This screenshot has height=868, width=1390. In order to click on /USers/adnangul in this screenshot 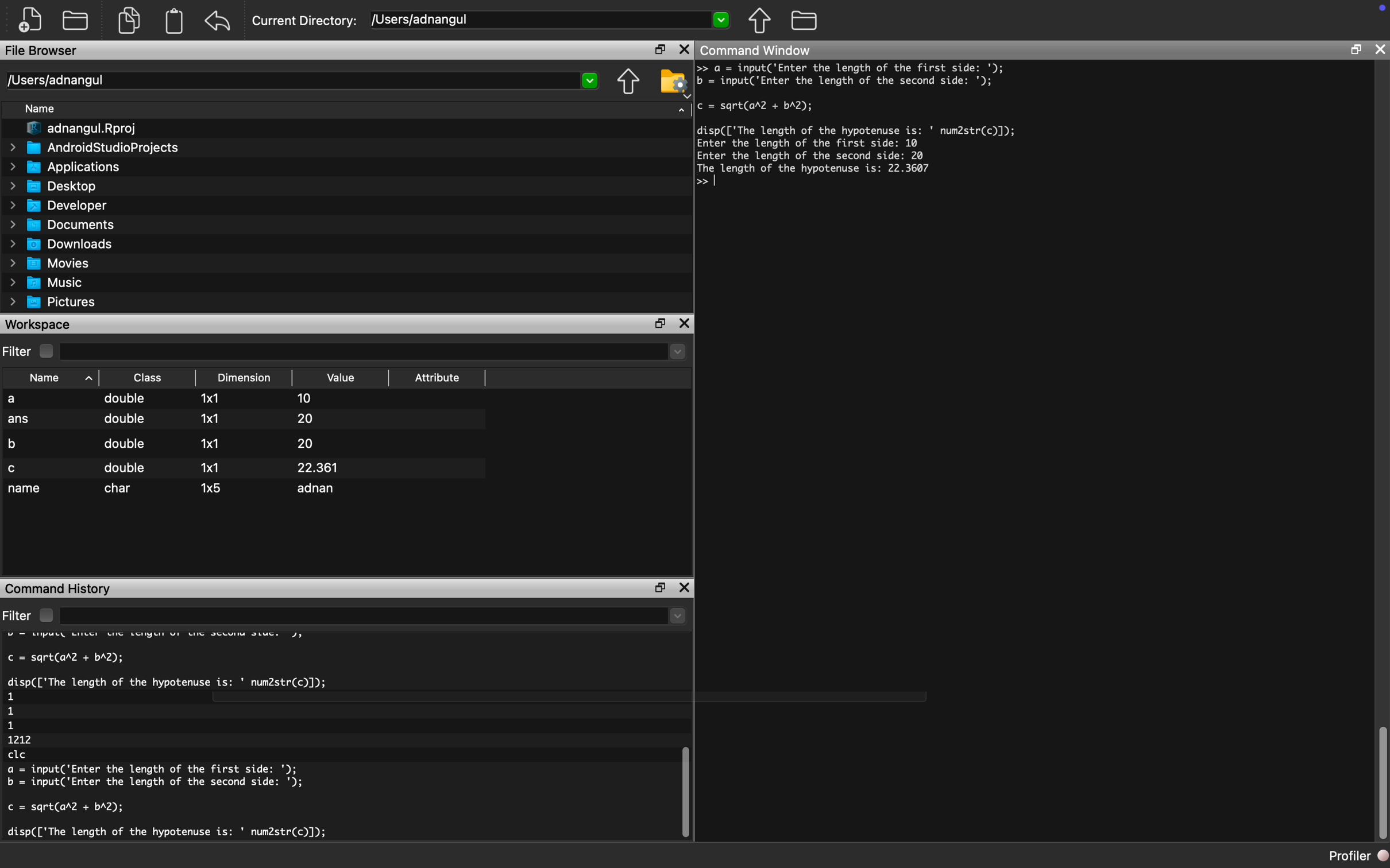, I will do `click(551, 20)`.